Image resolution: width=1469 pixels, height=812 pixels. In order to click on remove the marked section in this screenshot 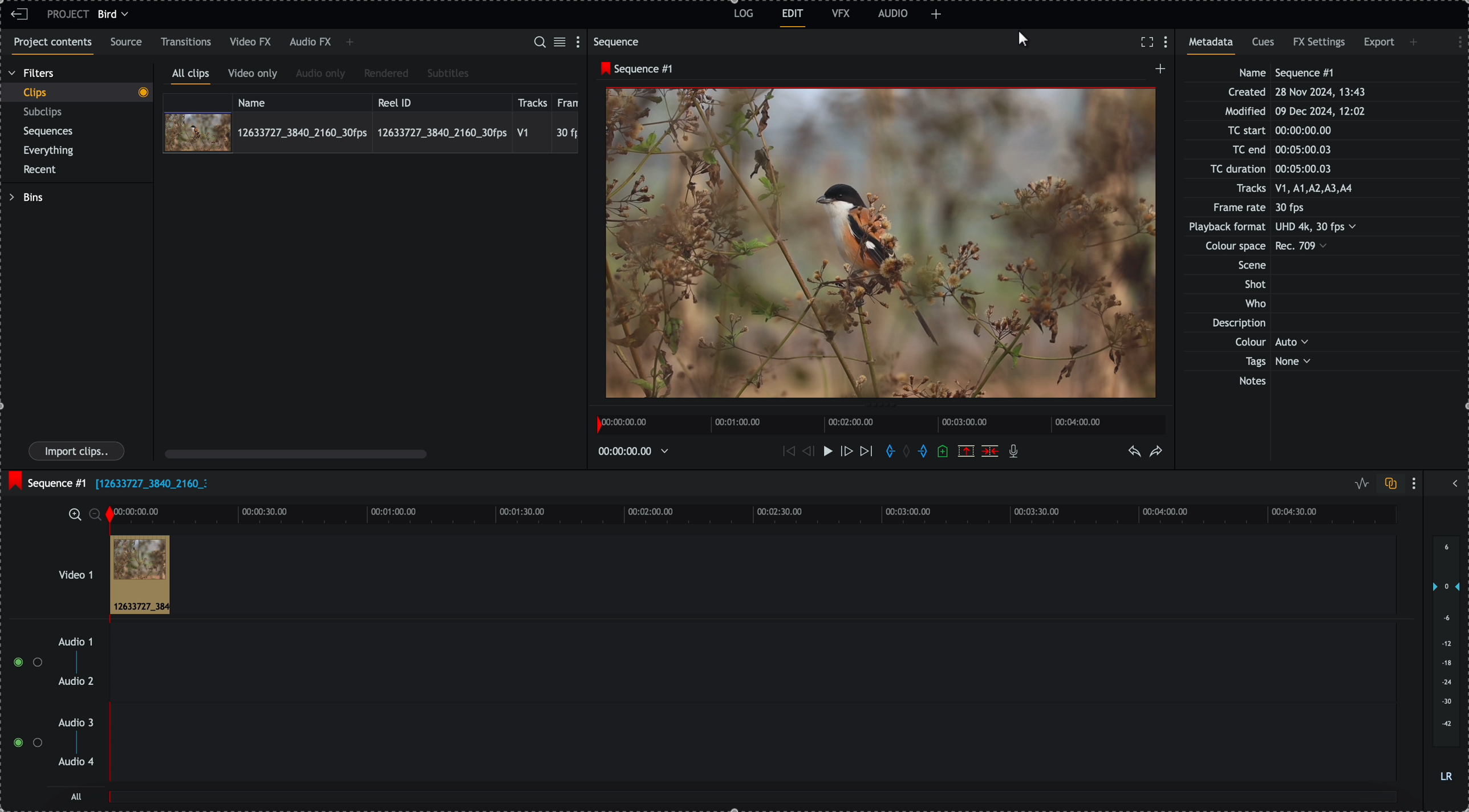, I will do `click(966, 450)`.